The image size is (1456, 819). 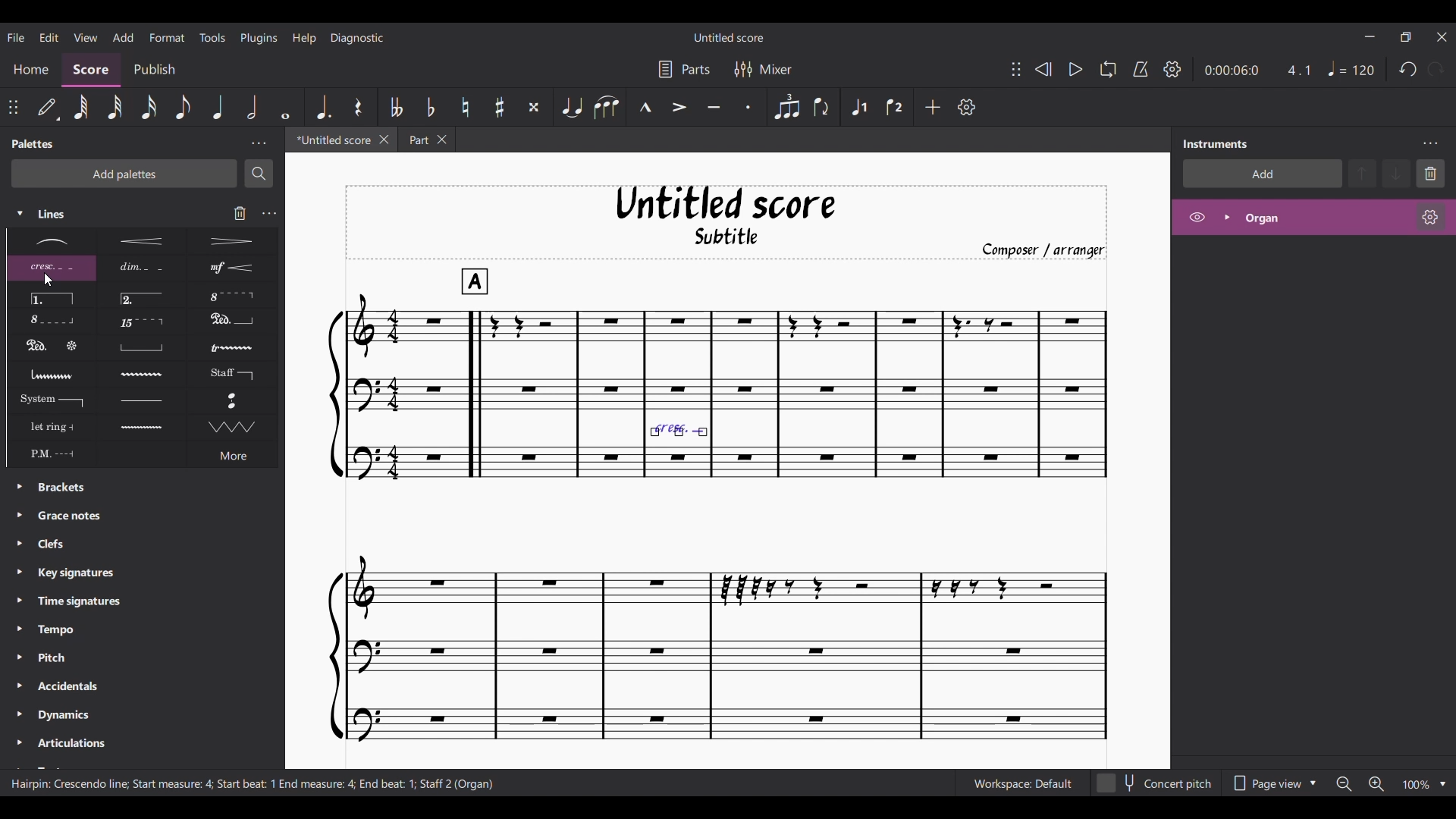 What do you see at coordinates (92, 71) in the screenshot?
I see `Score, current section highlighted` at bounding box center [92, 71].